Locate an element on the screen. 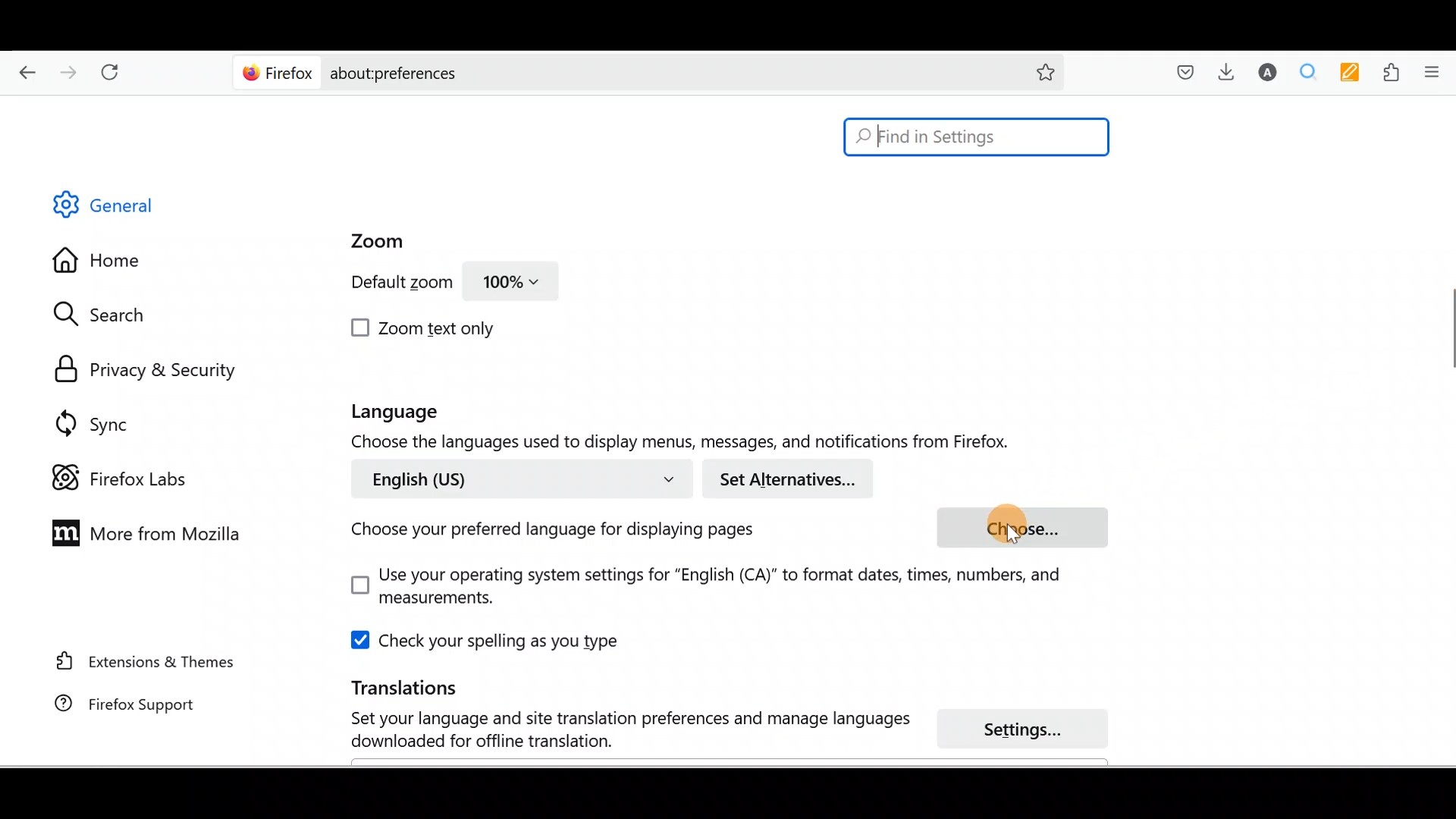 This screenshot has width=1456, height=819. Firefox is located at coordinates (278, 72).